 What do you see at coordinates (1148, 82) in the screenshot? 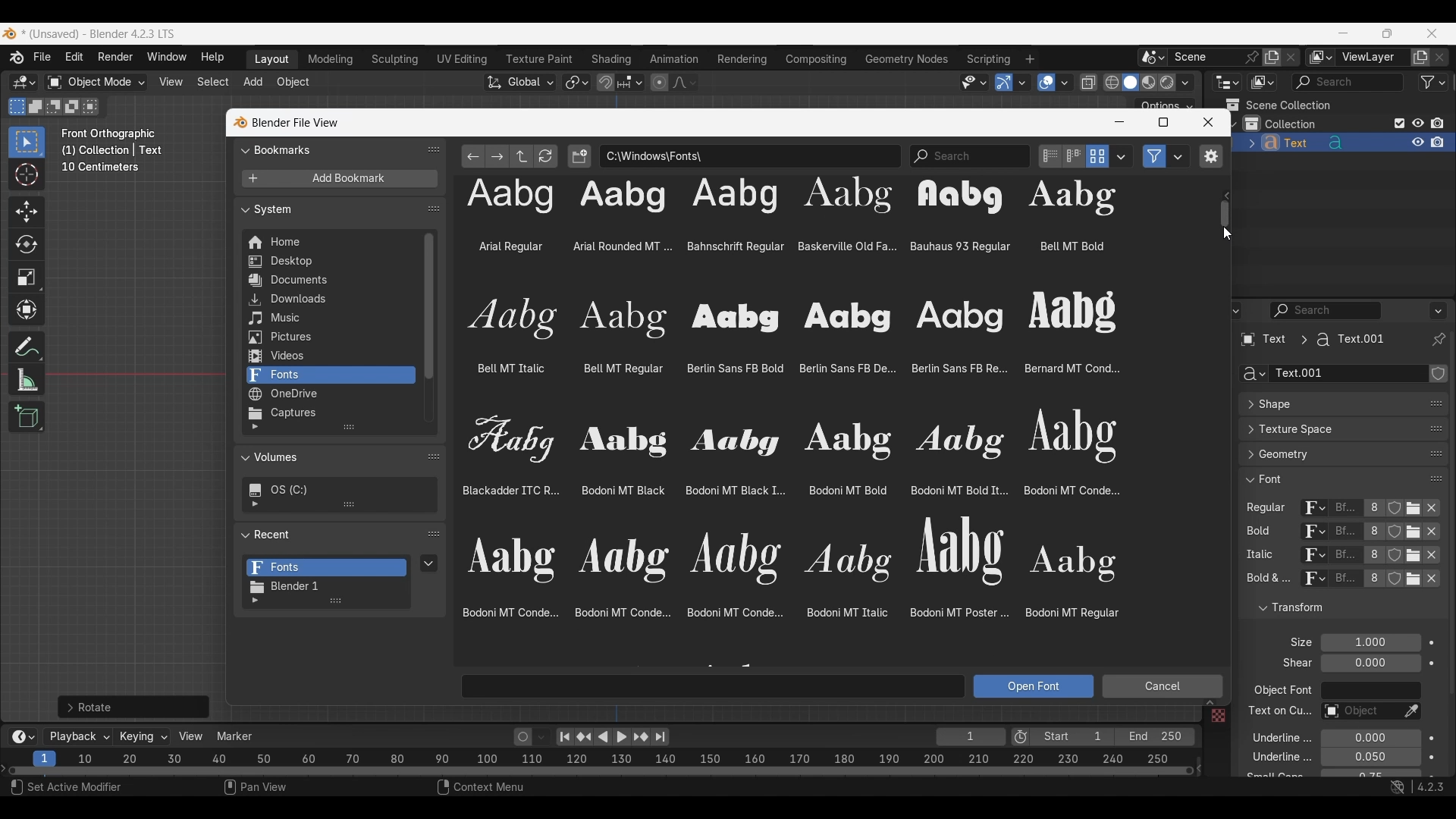
I see `Viewport shading, material preview` at bounding box center [1148, 82].